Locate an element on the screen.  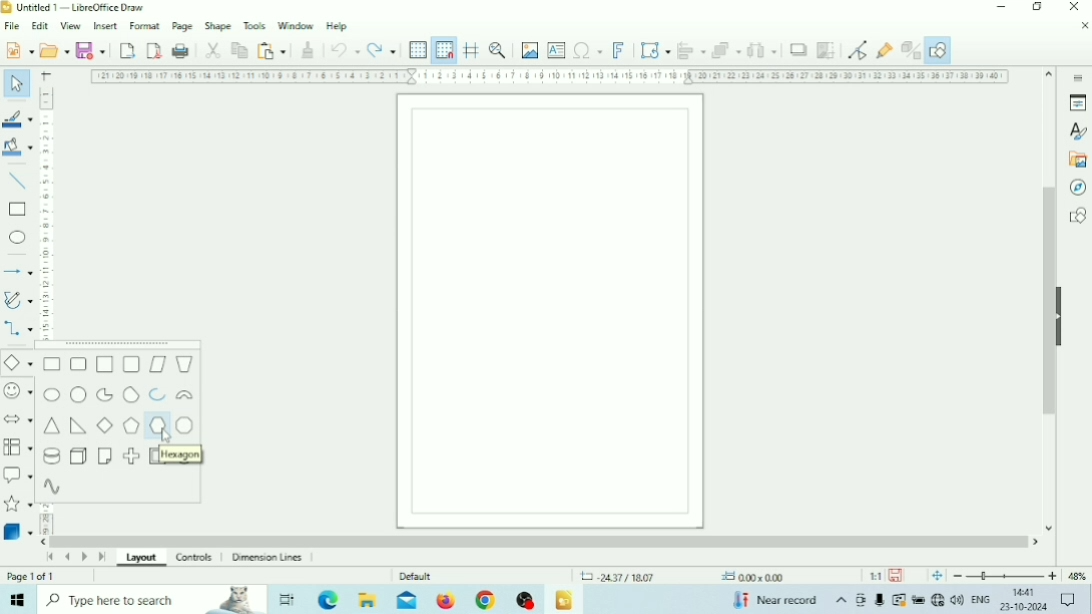
Trapezoid is located at coordinates (184, 365).